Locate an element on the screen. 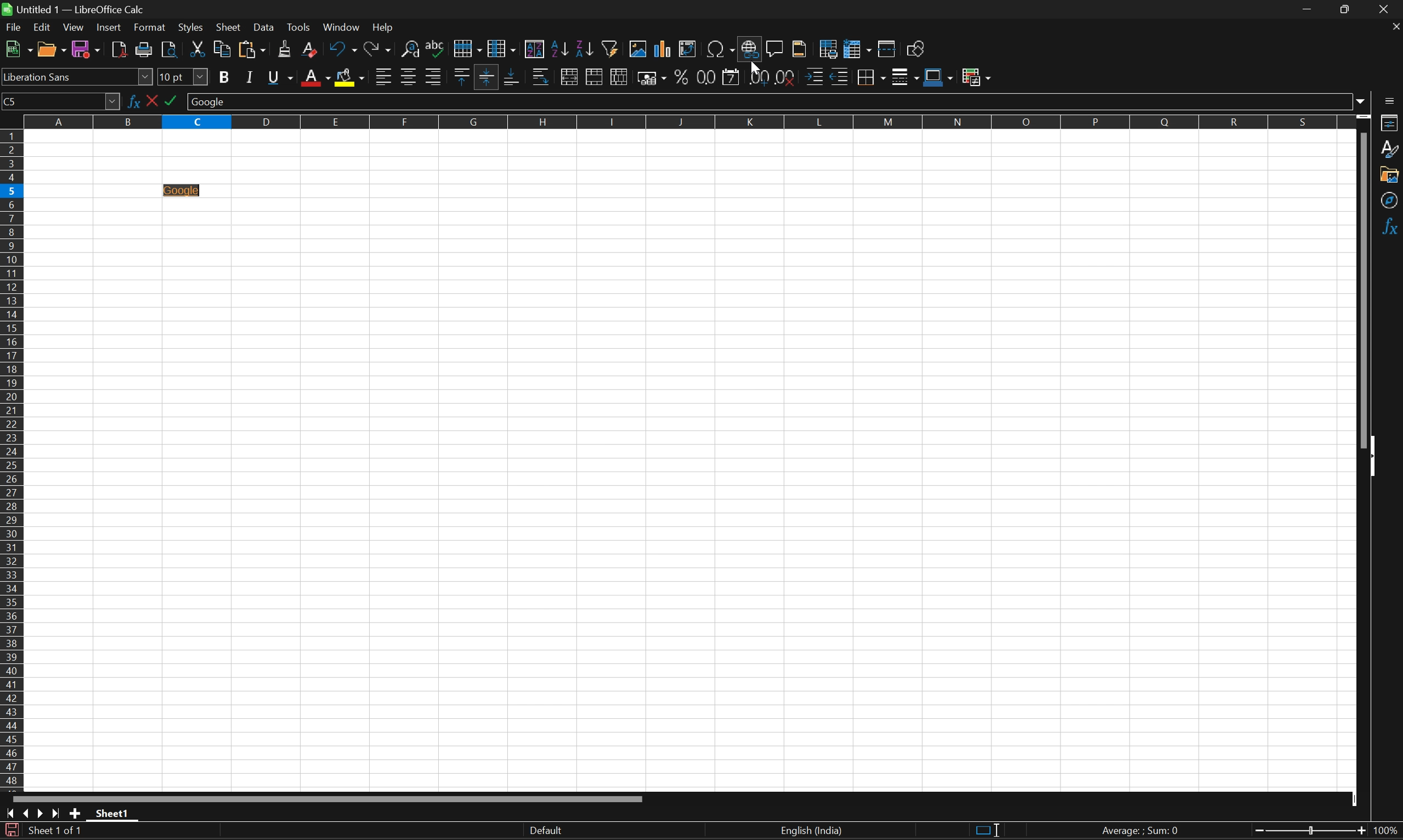 The height and width of the screenshot is (840, 1403). Insert special characters is located at coordinates (720, 50).